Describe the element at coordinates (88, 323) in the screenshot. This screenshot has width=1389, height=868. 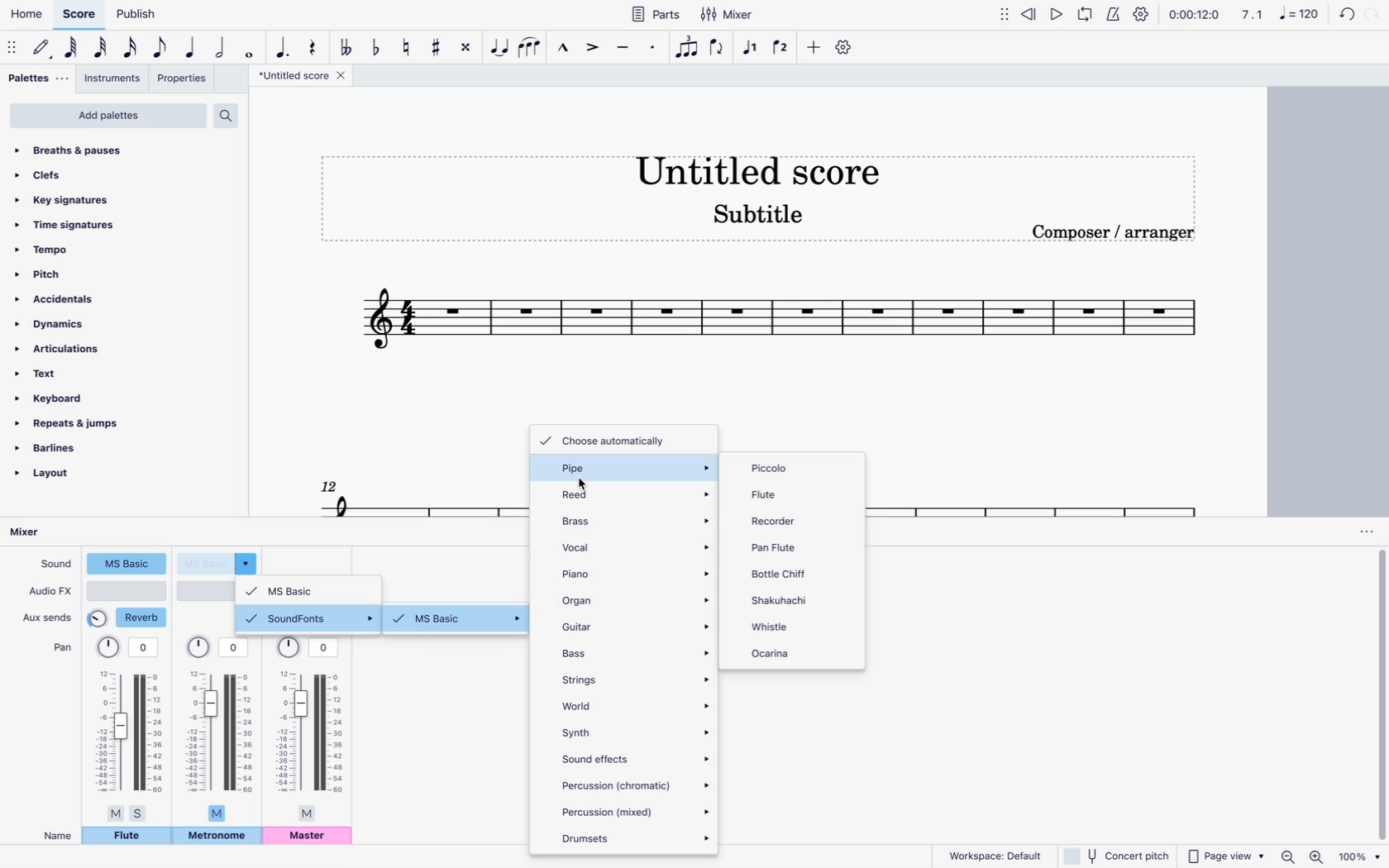
I see `dynamics` at that location.